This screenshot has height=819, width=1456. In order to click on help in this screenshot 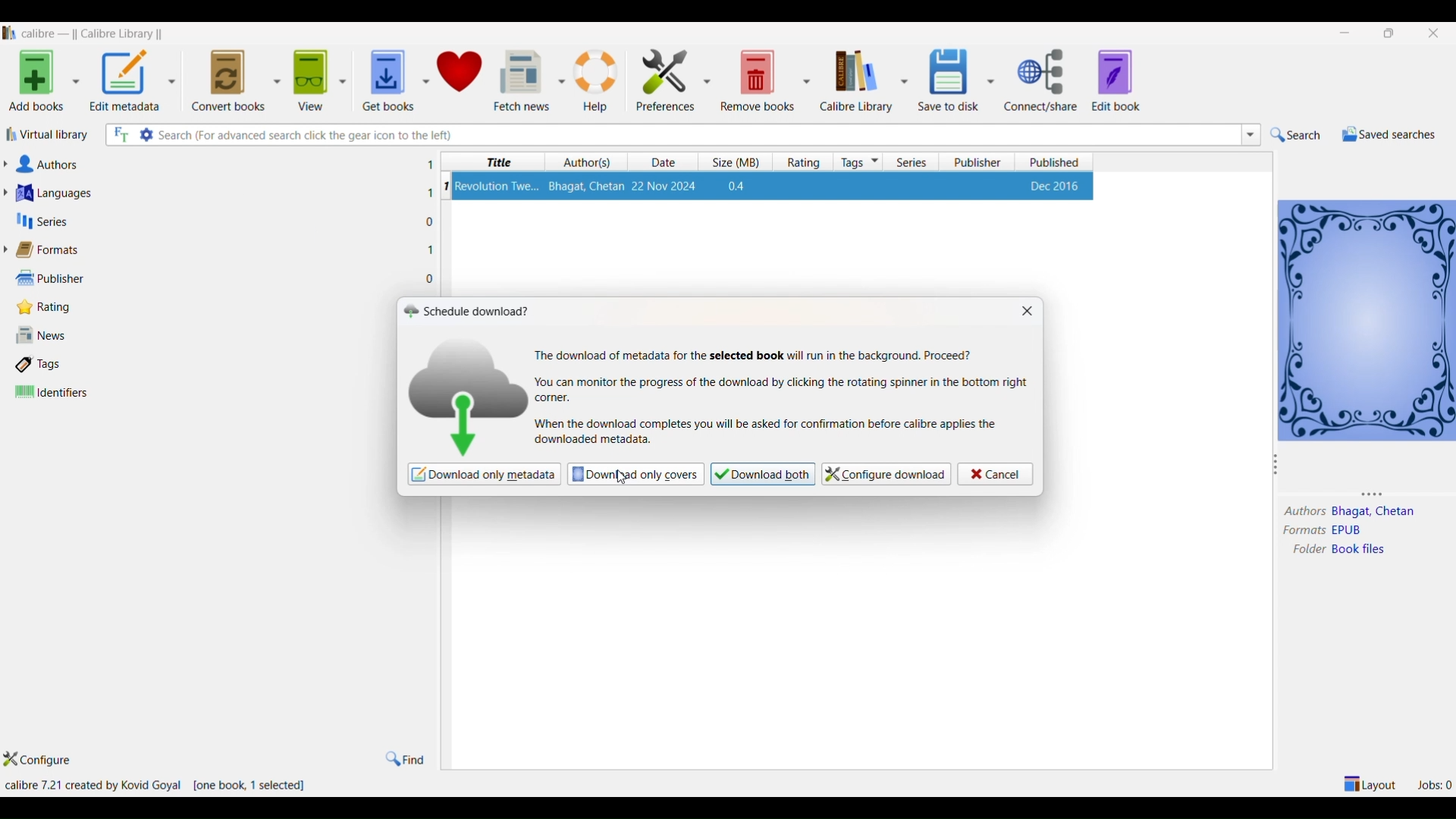, I will do `click(598, 79)`.